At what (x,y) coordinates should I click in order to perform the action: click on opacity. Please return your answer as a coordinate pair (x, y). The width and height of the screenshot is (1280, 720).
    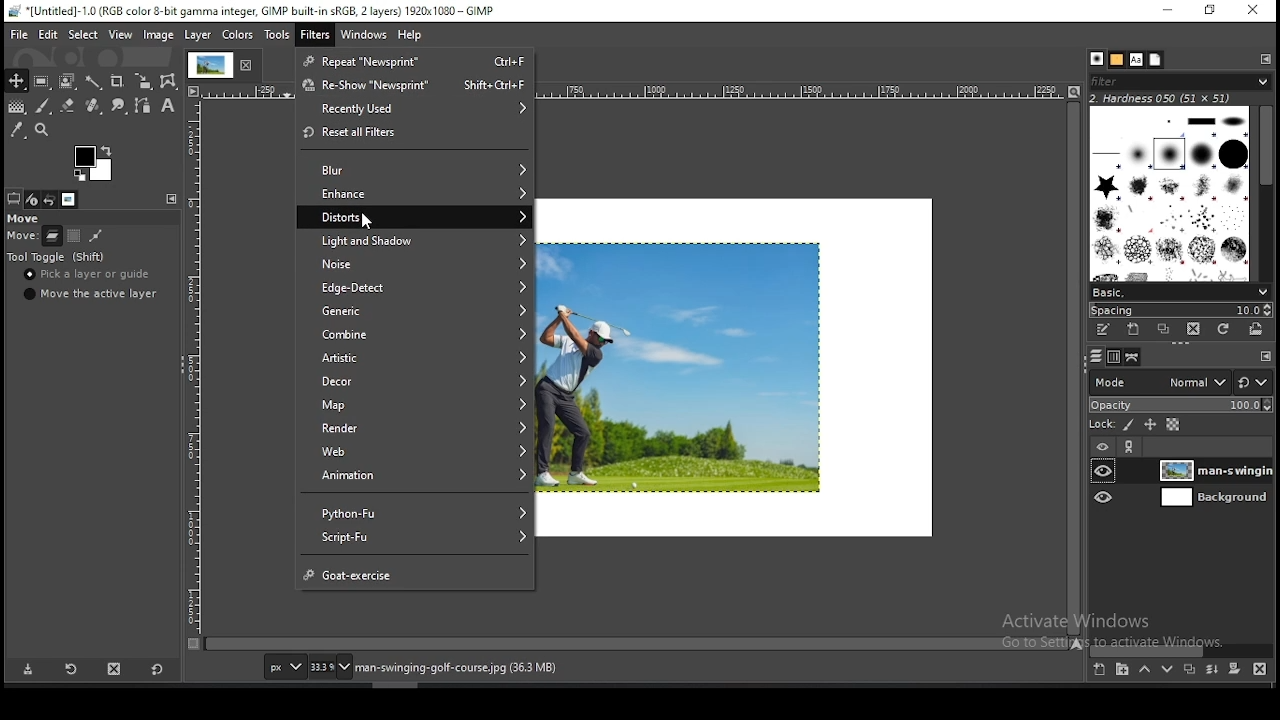
    Looking at the image, I should click on (1180, 404).